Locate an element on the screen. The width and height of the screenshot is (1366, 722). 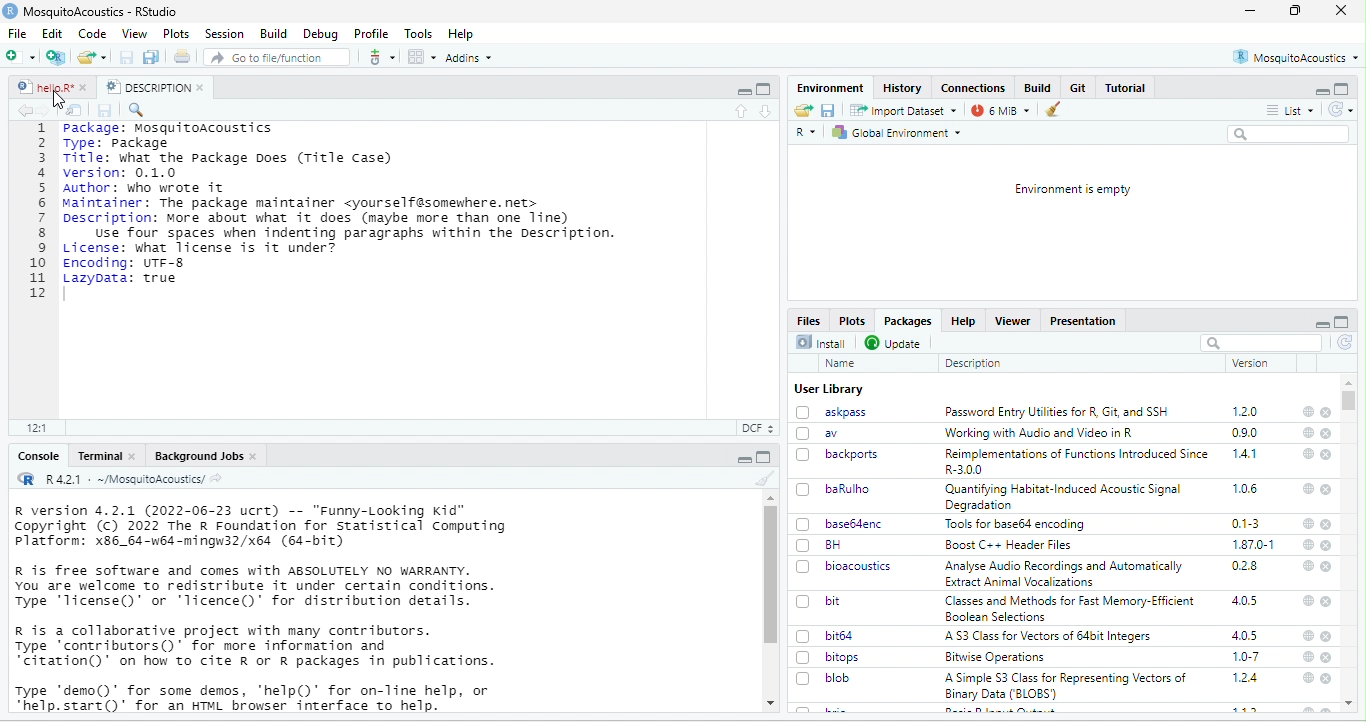
Help is located at coordinates (463, 34).